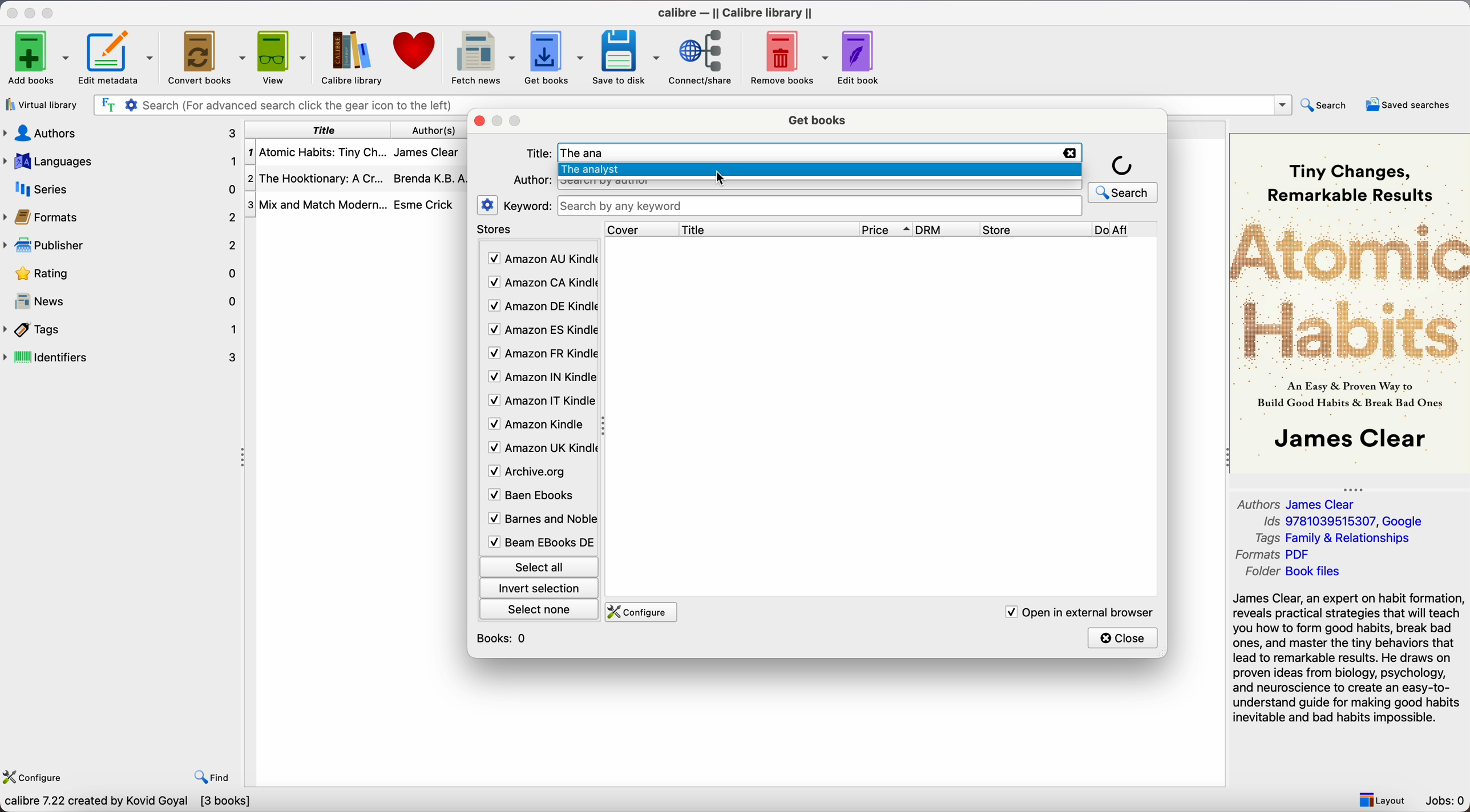  What do you see at coordinates (539, 450) in the screenshot?
I see `Amazon UK Kindle` at bounding box center [539, 450].